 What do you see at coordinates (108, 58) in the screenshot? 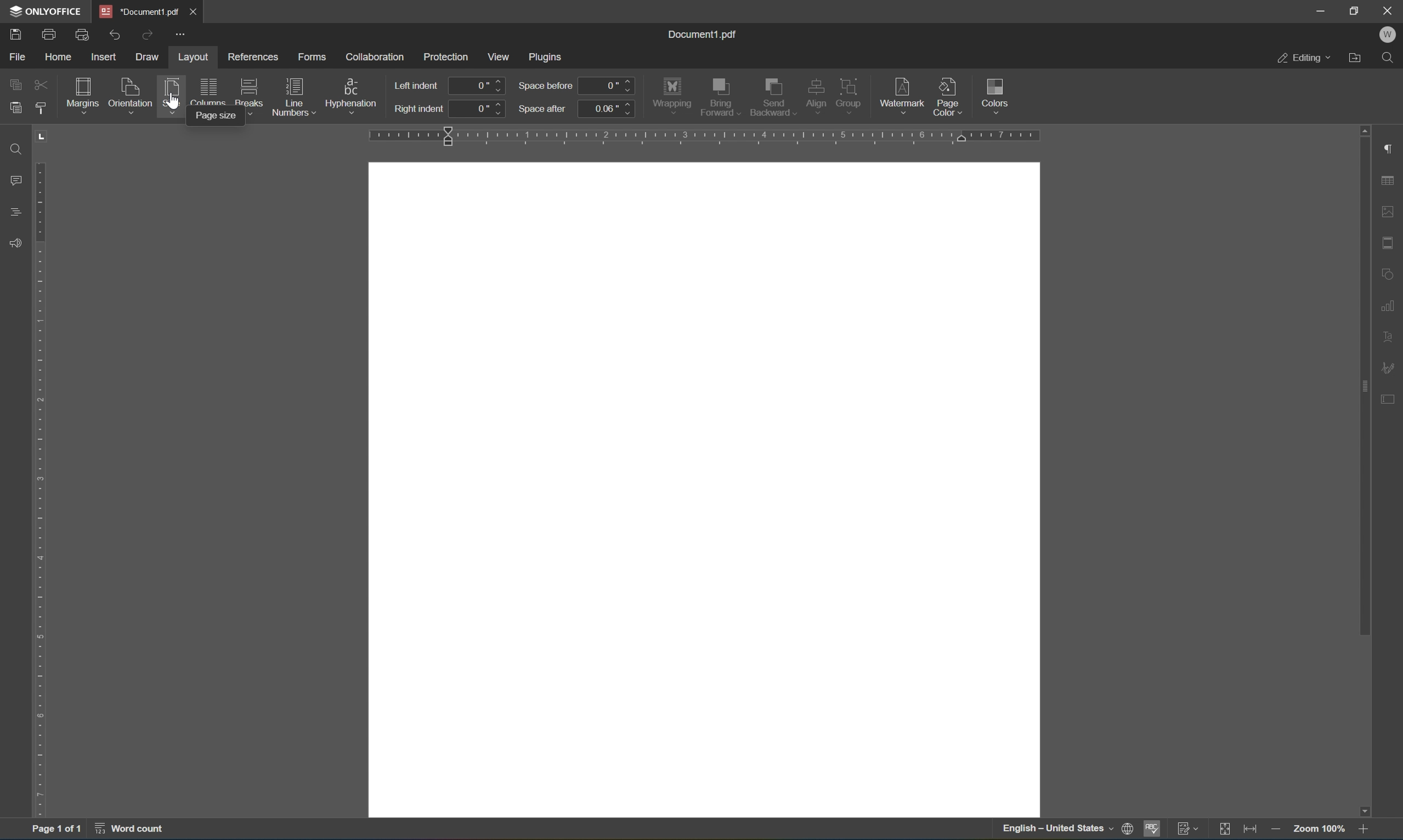
I see `insert` at bounding box center [108, 58].